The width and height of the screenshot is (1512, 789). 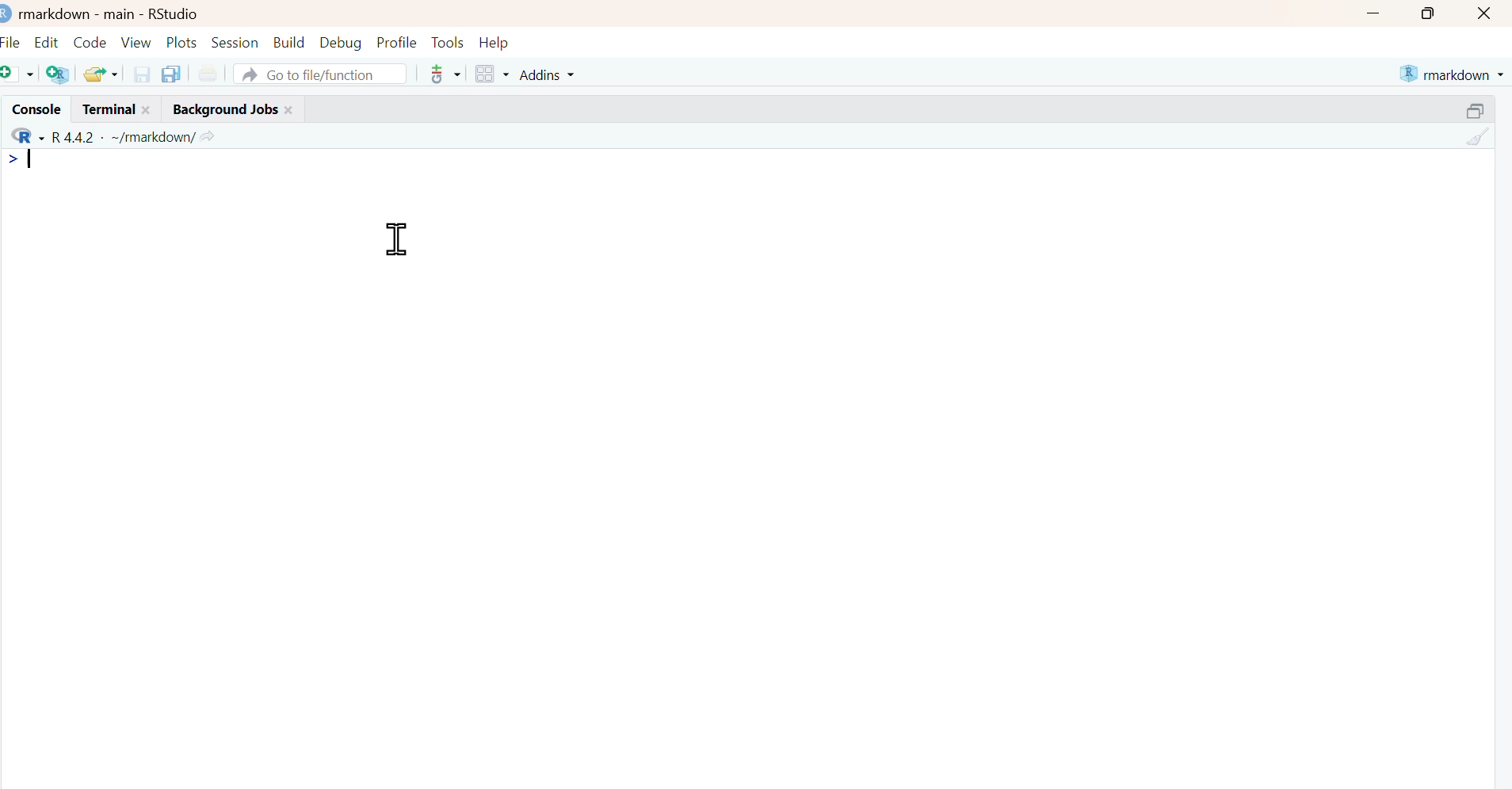 I want to click on save all, so click(x=170, y=73).